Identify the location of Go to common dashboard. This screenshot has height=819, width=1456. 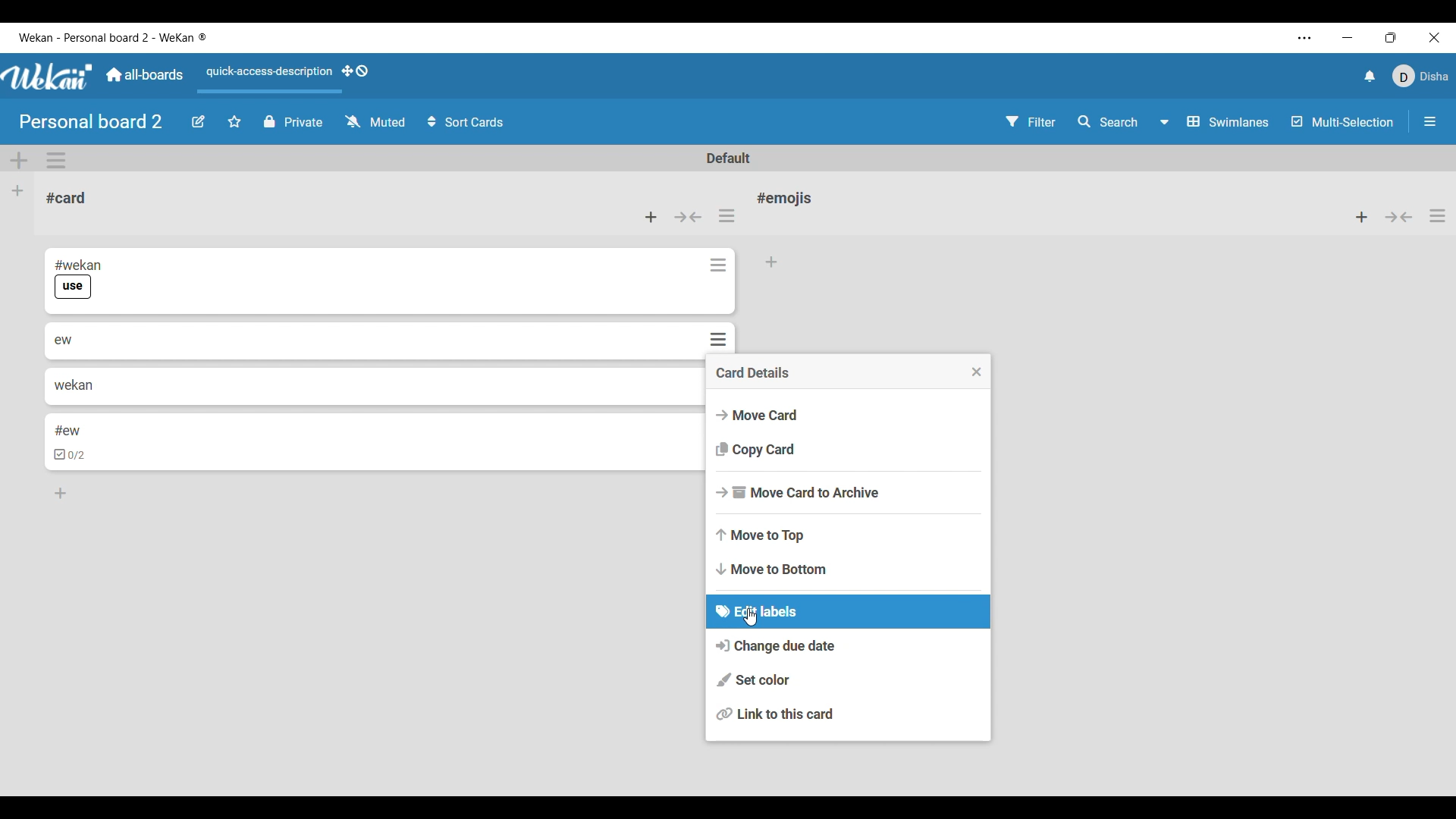
(145, 74).